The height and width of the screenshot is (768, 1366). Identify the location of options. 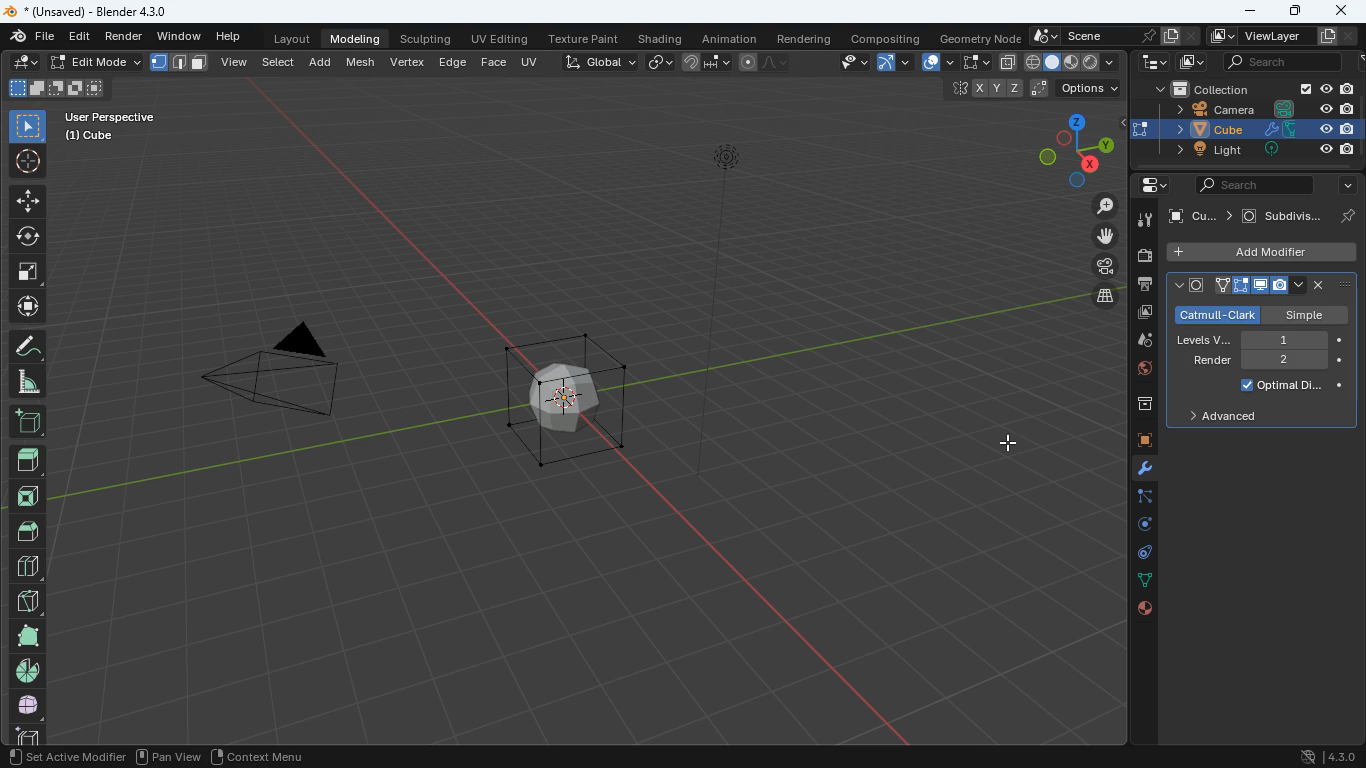
(1259, 313).